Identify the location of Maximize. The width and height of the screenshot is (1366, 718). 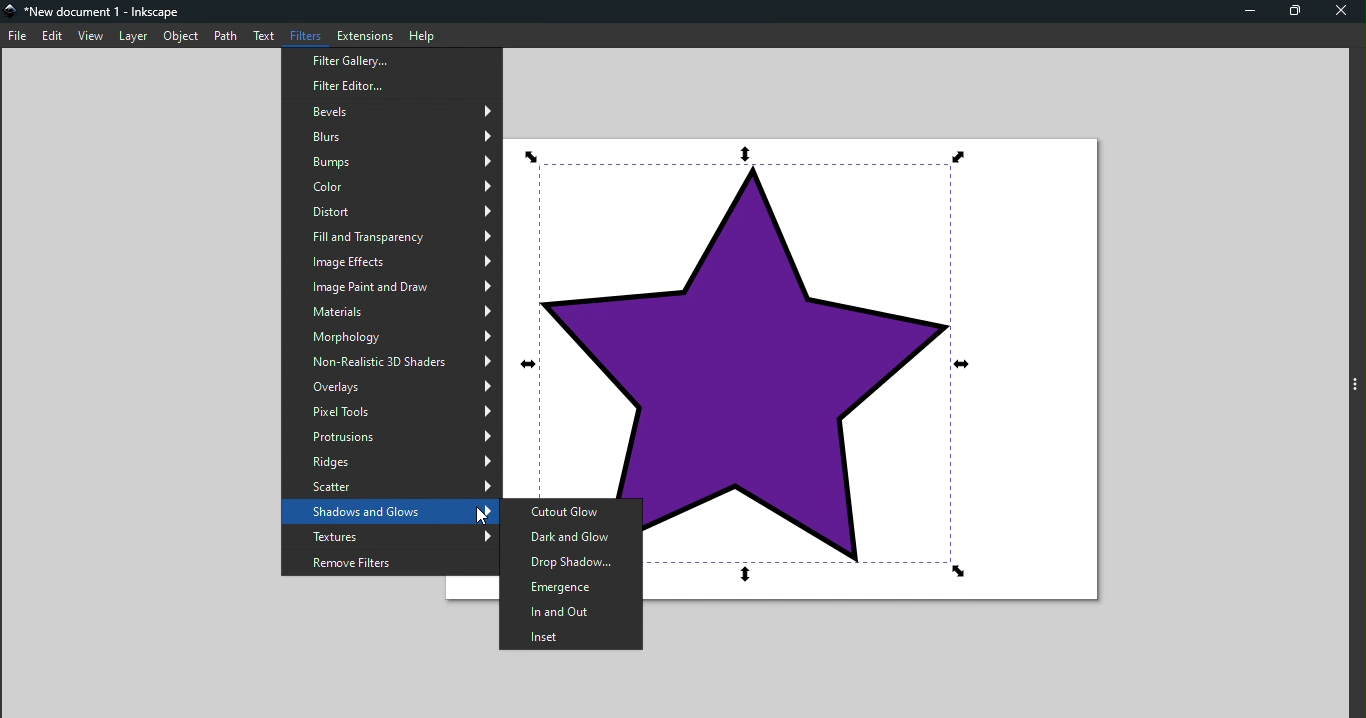
(1301, 10).